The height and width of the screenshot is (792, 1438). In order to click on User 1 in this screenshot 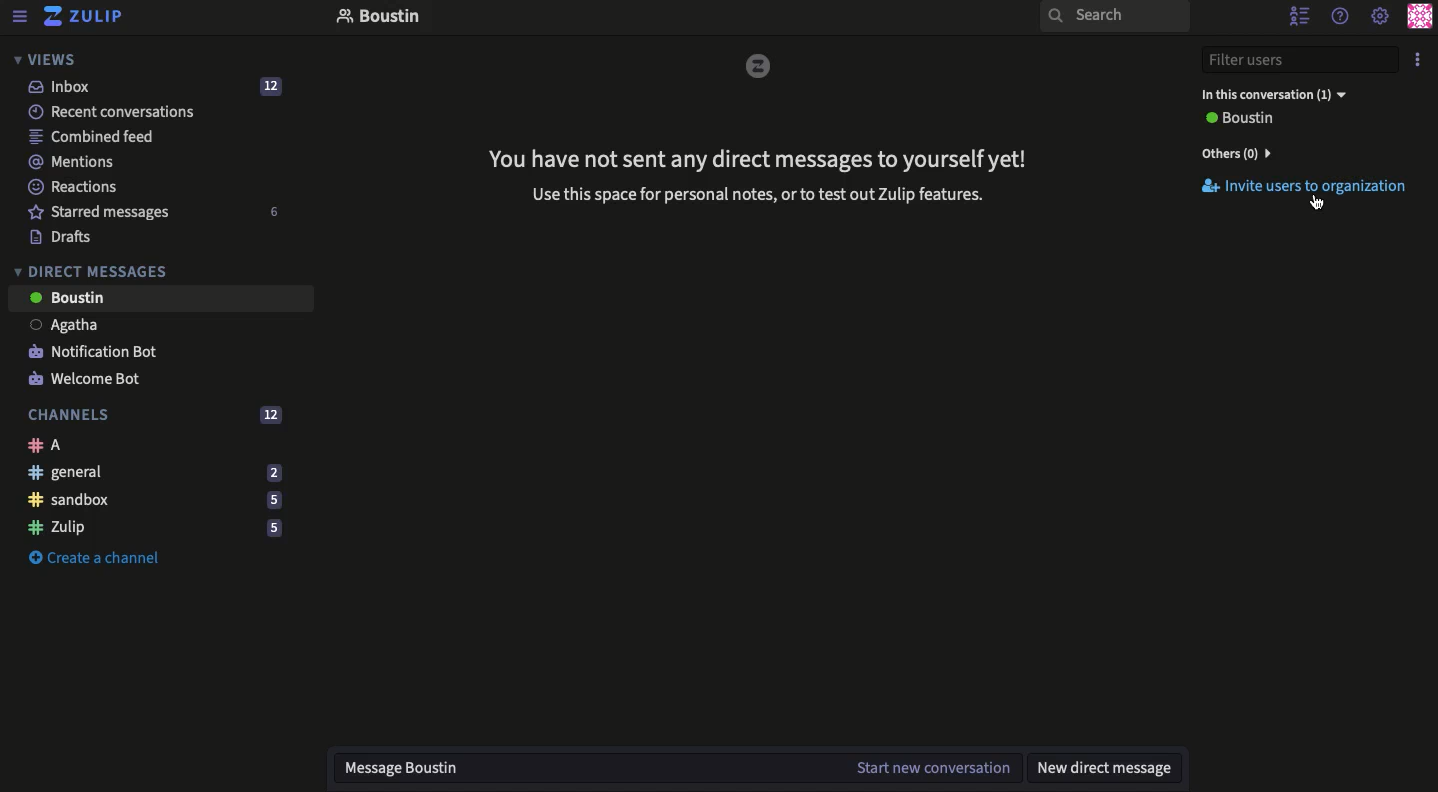, I will do `click(53, 327)`.